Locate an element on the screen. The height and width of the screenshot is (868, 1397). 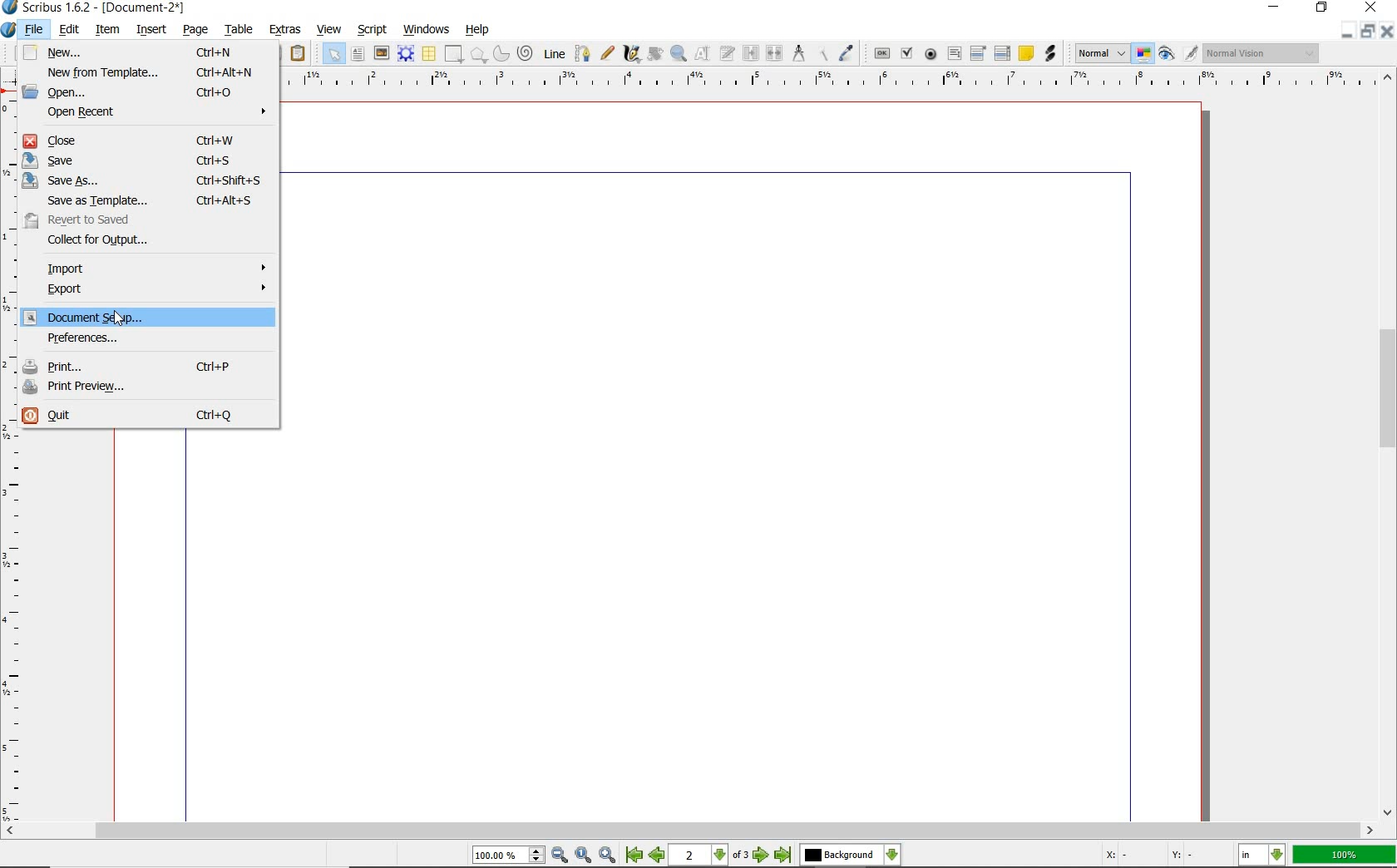
page is located at coordinates (197, 31).